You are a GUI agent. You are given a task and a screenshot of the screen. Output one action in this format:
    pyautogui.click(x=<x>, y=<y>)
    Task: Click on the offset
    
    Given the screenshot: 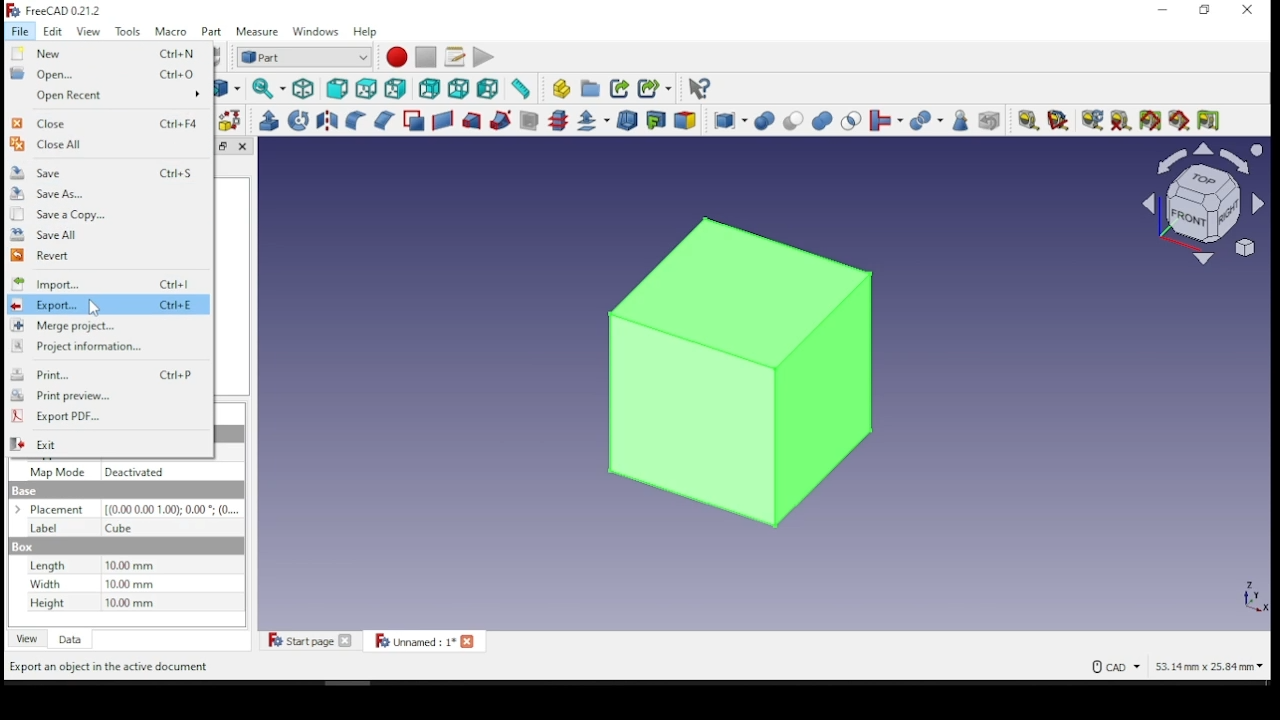 What is the action you would take?
    pyautogui.click(x=594, y=120)
    